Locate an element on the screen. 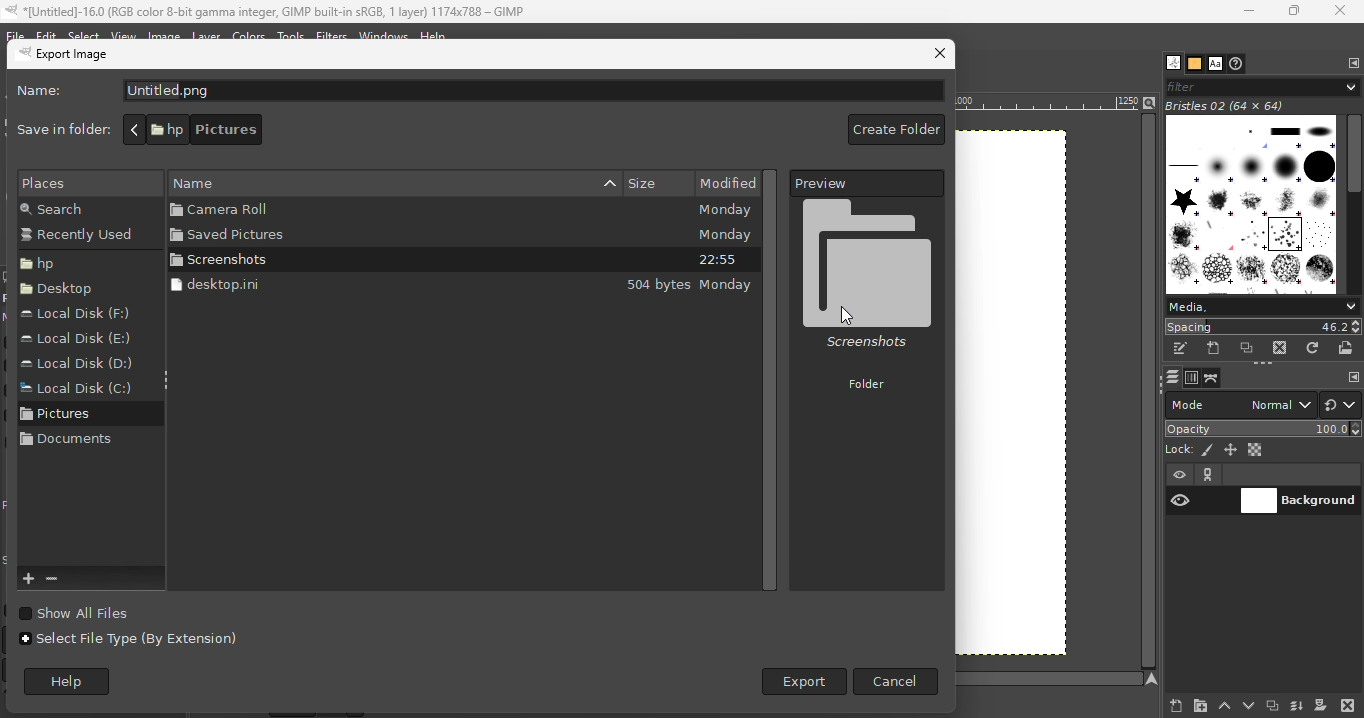  Delete this layer is located at coordinates (1348, 704).